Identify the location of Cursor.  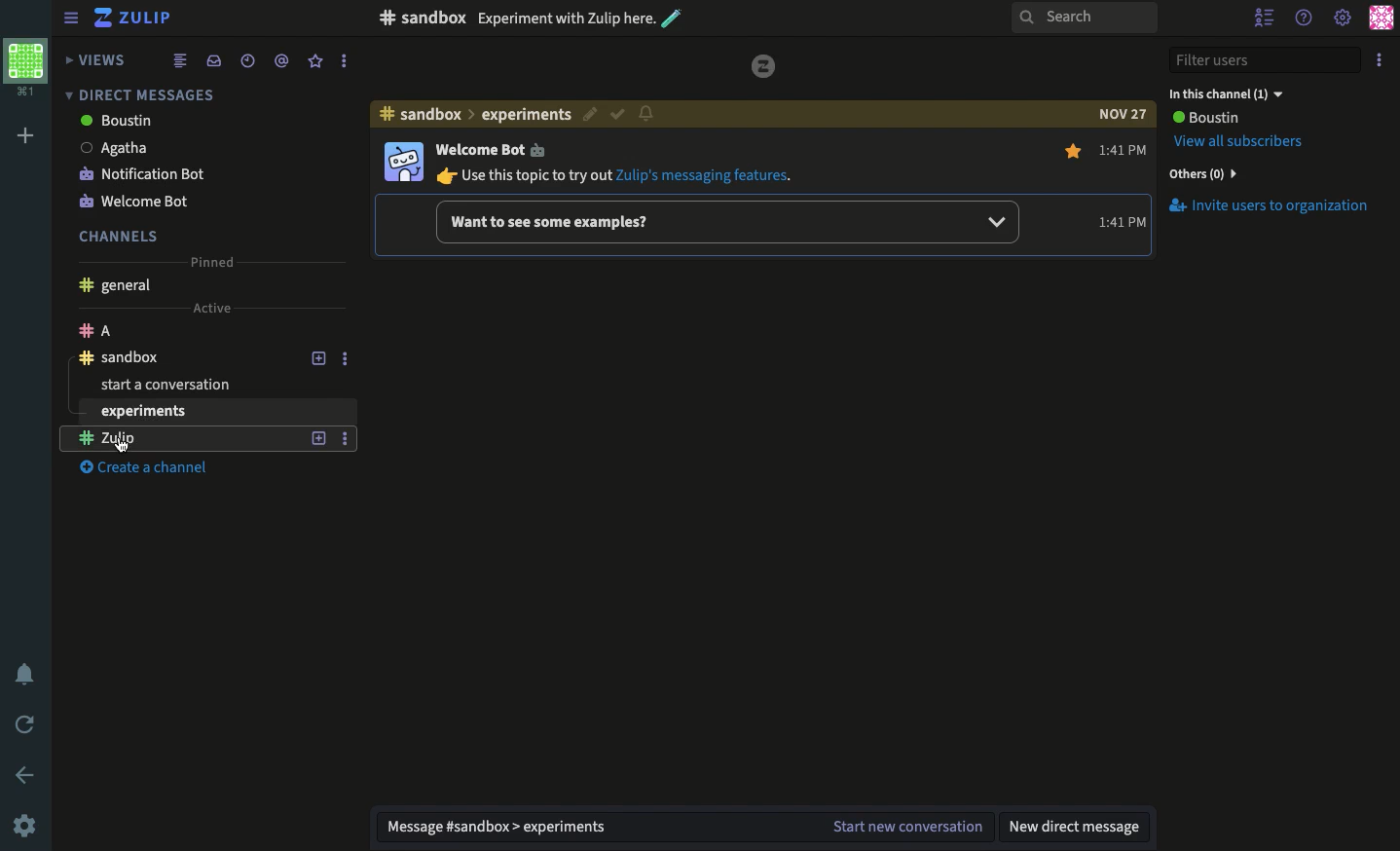
(122, 445).